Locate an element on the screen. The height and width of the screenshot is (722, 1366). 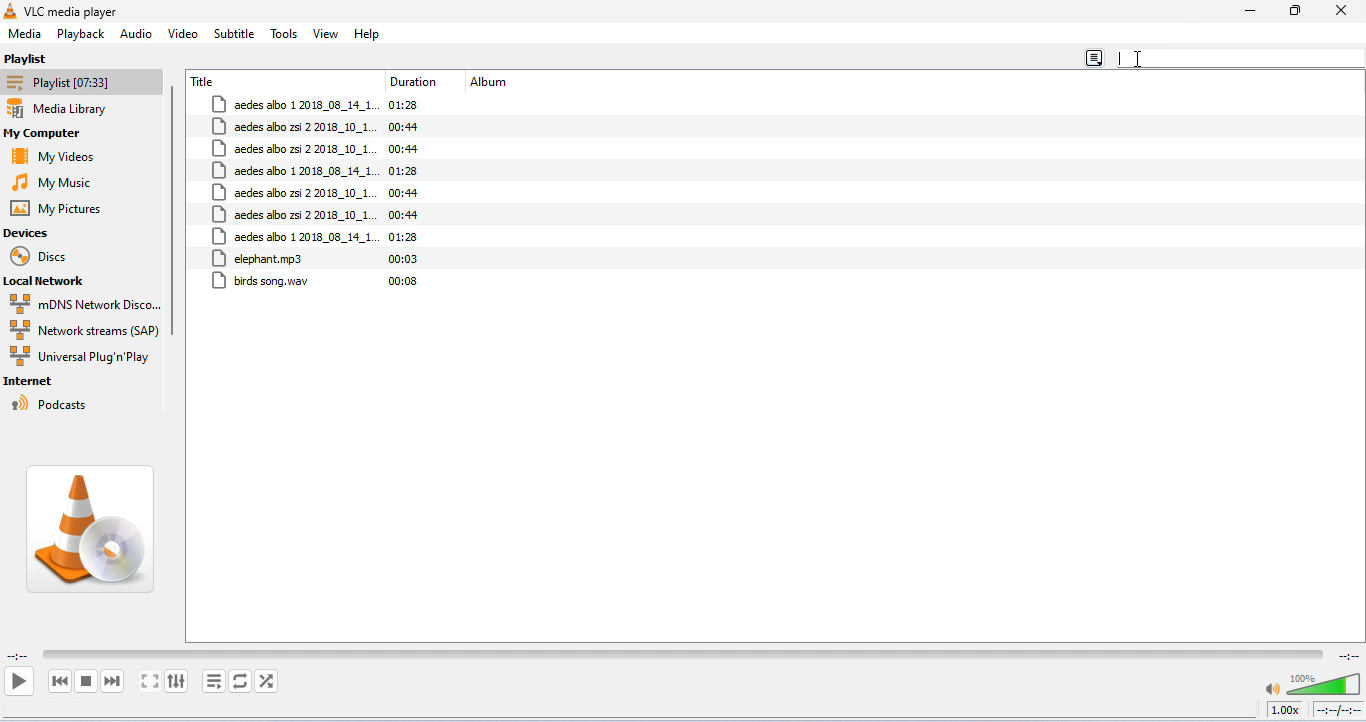
00:08 is located at coordinates (403, 281).